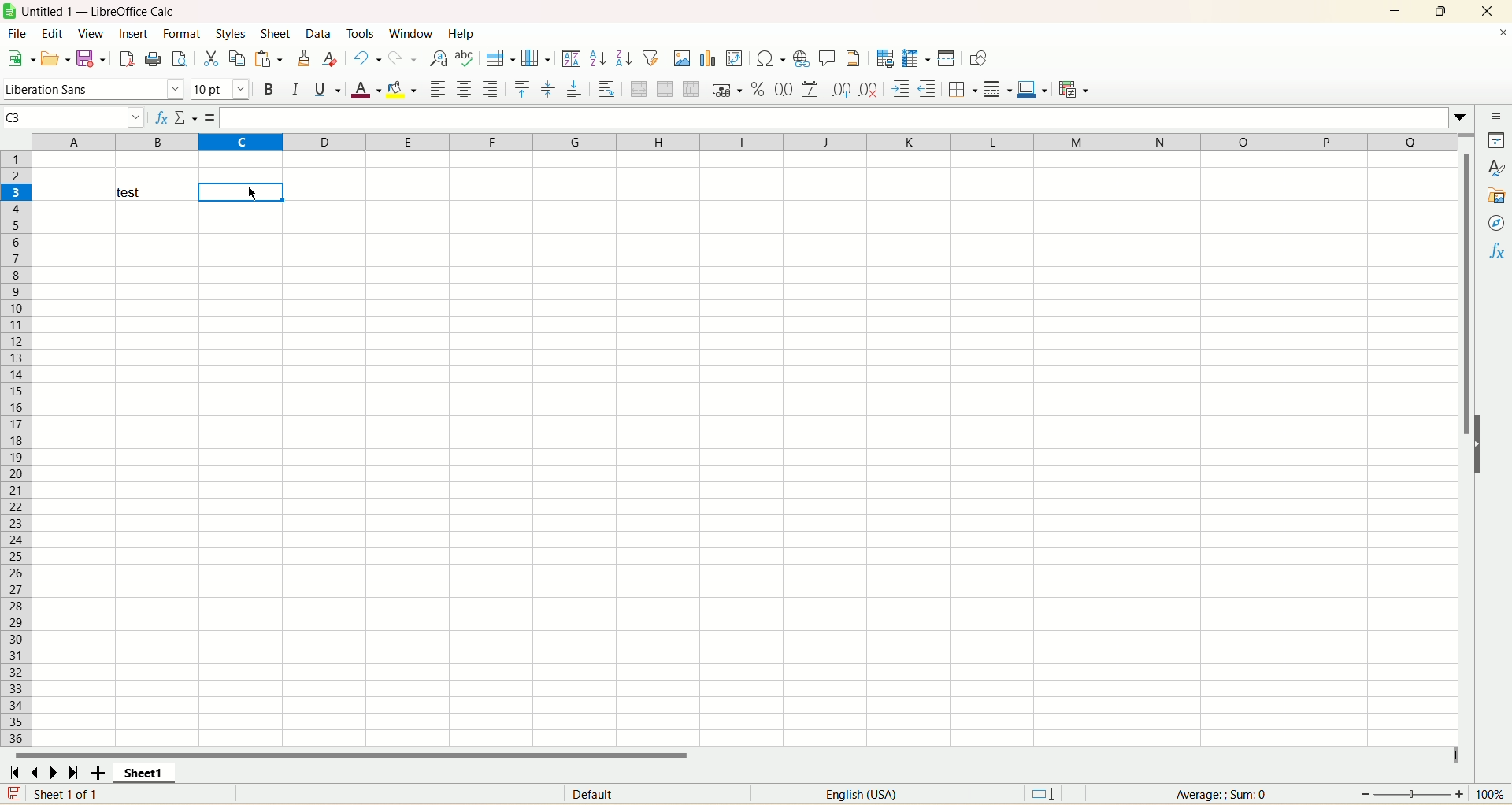 This screenshot has height=805, width=1512. I want to click on workbook, so click(745, 474).